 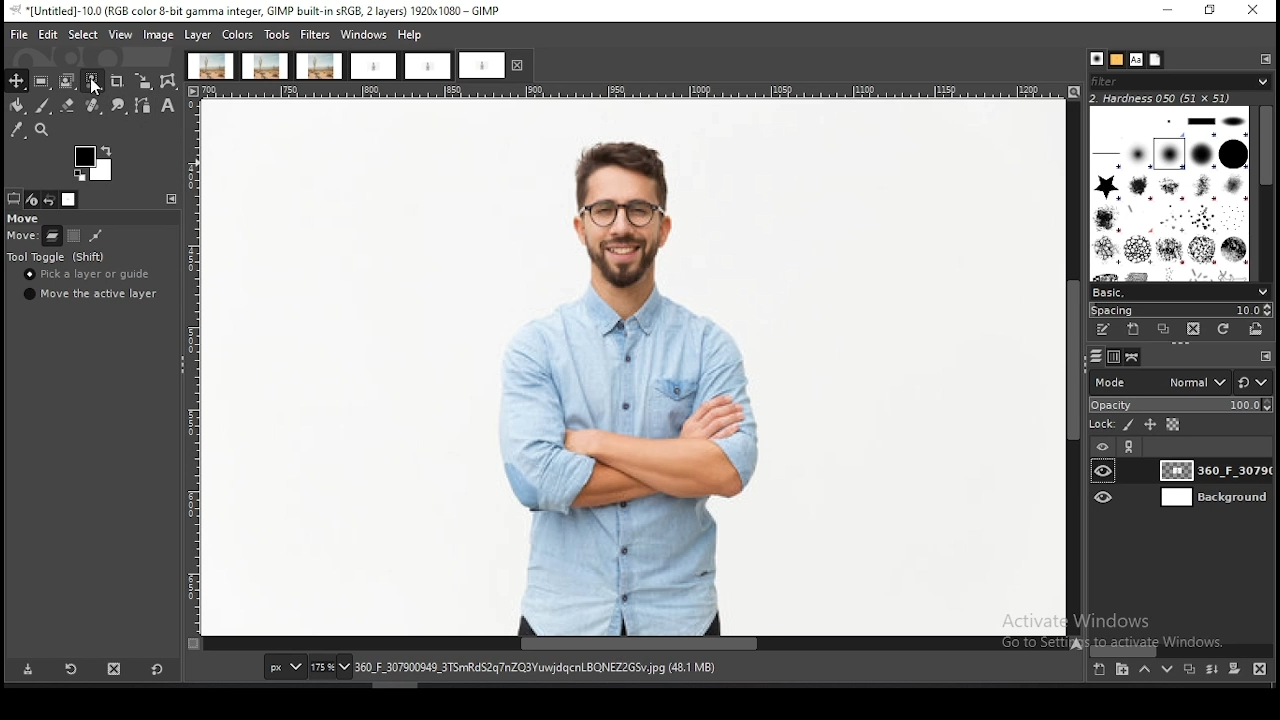 I want to click on layer, so click(x=1212, y=497).